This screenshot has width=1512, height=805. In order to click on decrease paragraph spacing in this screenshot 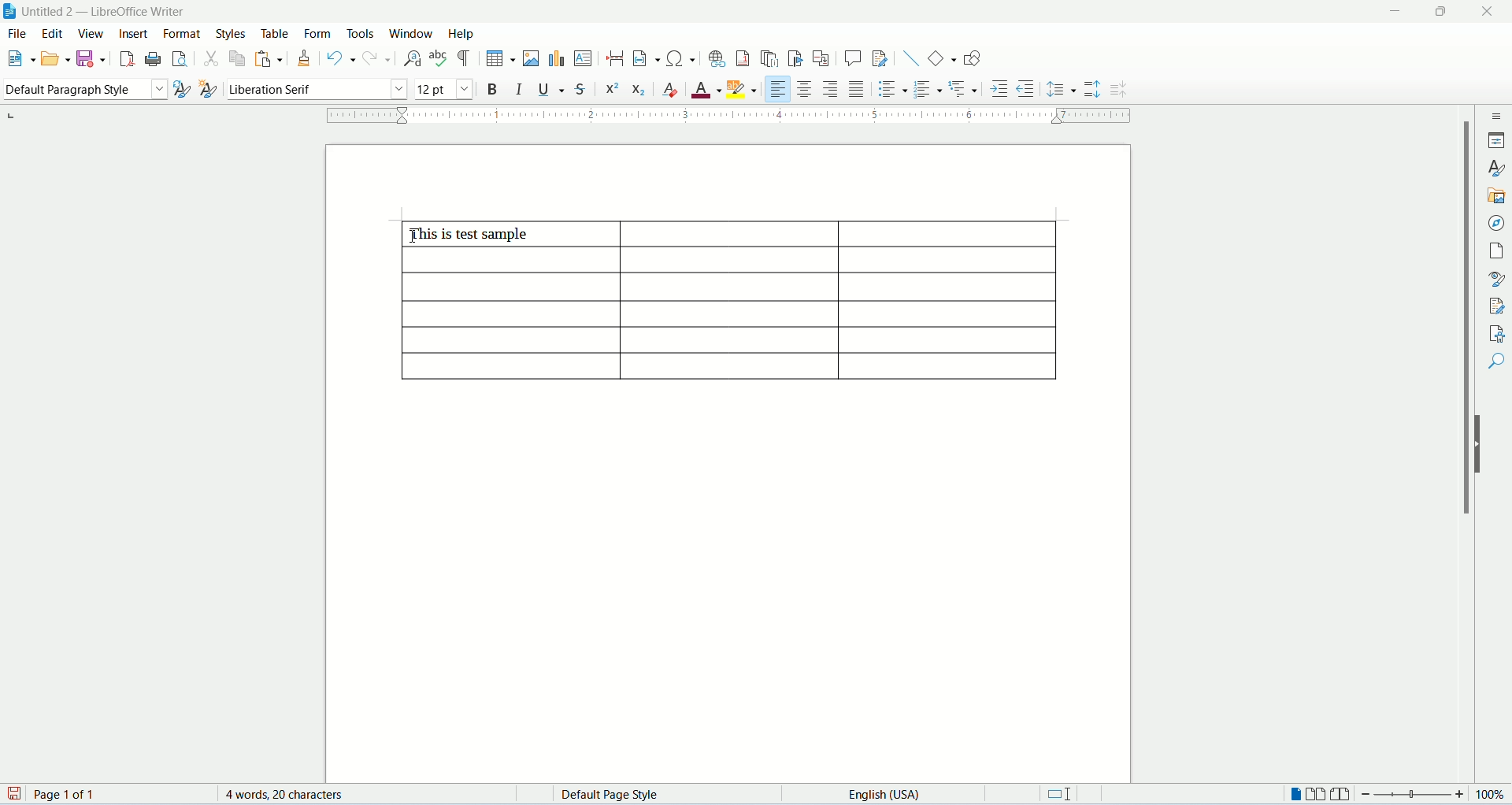, I will do `click(1118, 89)`.